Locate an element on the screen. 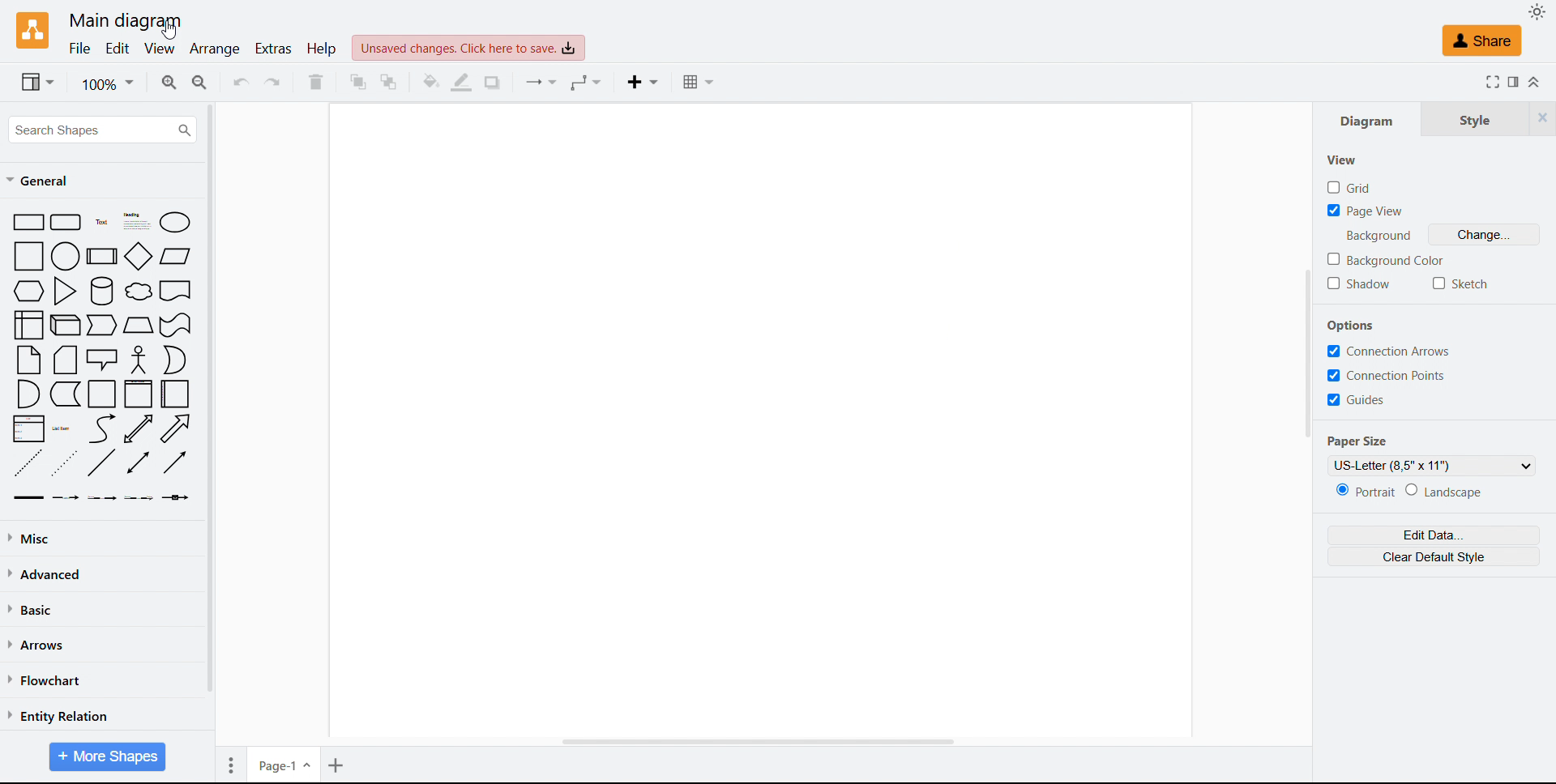 This screenshot has width=1556, height=784. Zoom level  is located at coordinates (109, 83).